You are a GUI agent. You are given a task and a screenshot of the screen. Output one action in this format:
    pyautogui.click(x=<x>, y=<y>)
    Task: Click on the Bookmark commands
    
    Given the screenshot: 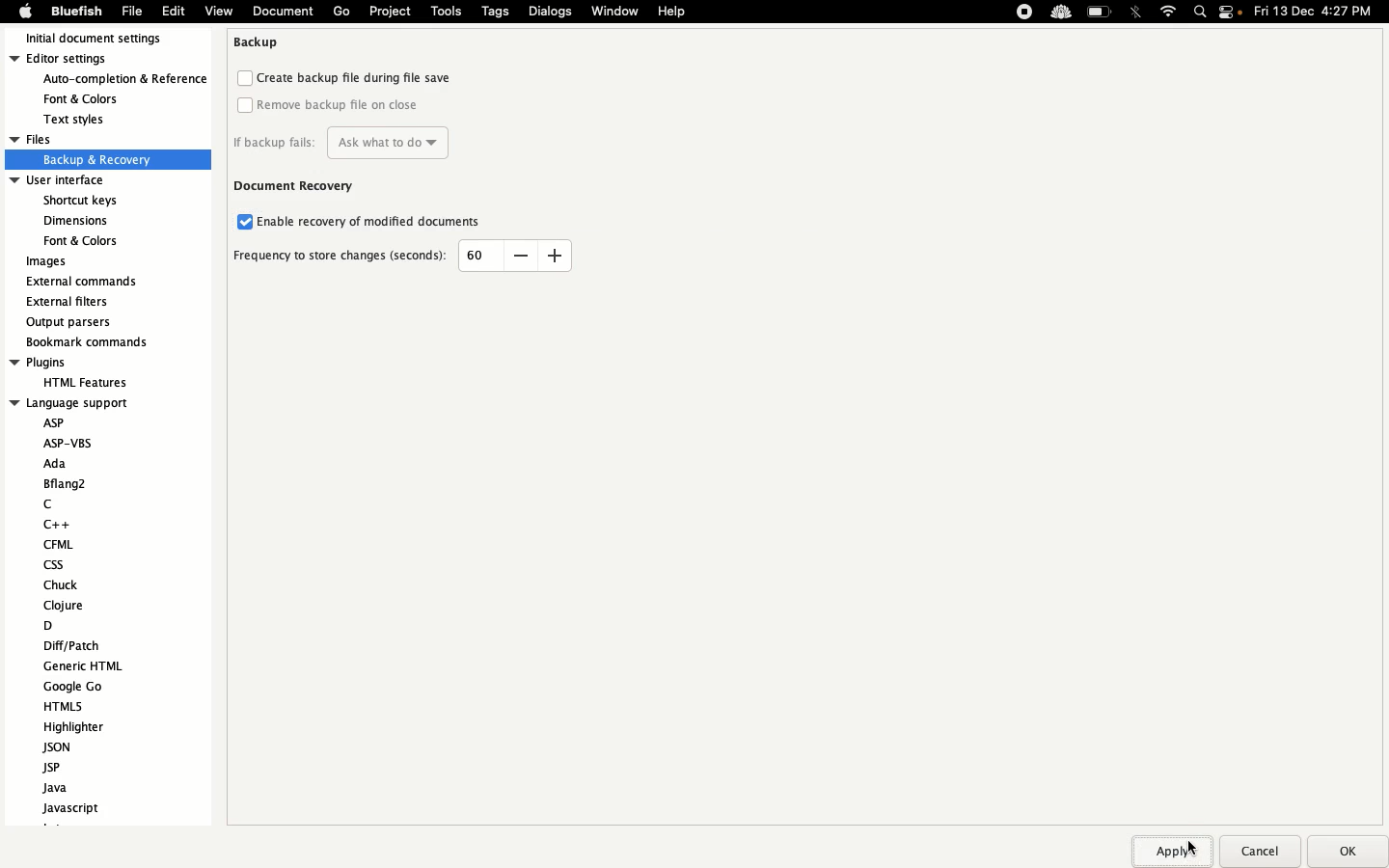 What is the action you would take?
    pyautogui.click(x=104, y=343)
    